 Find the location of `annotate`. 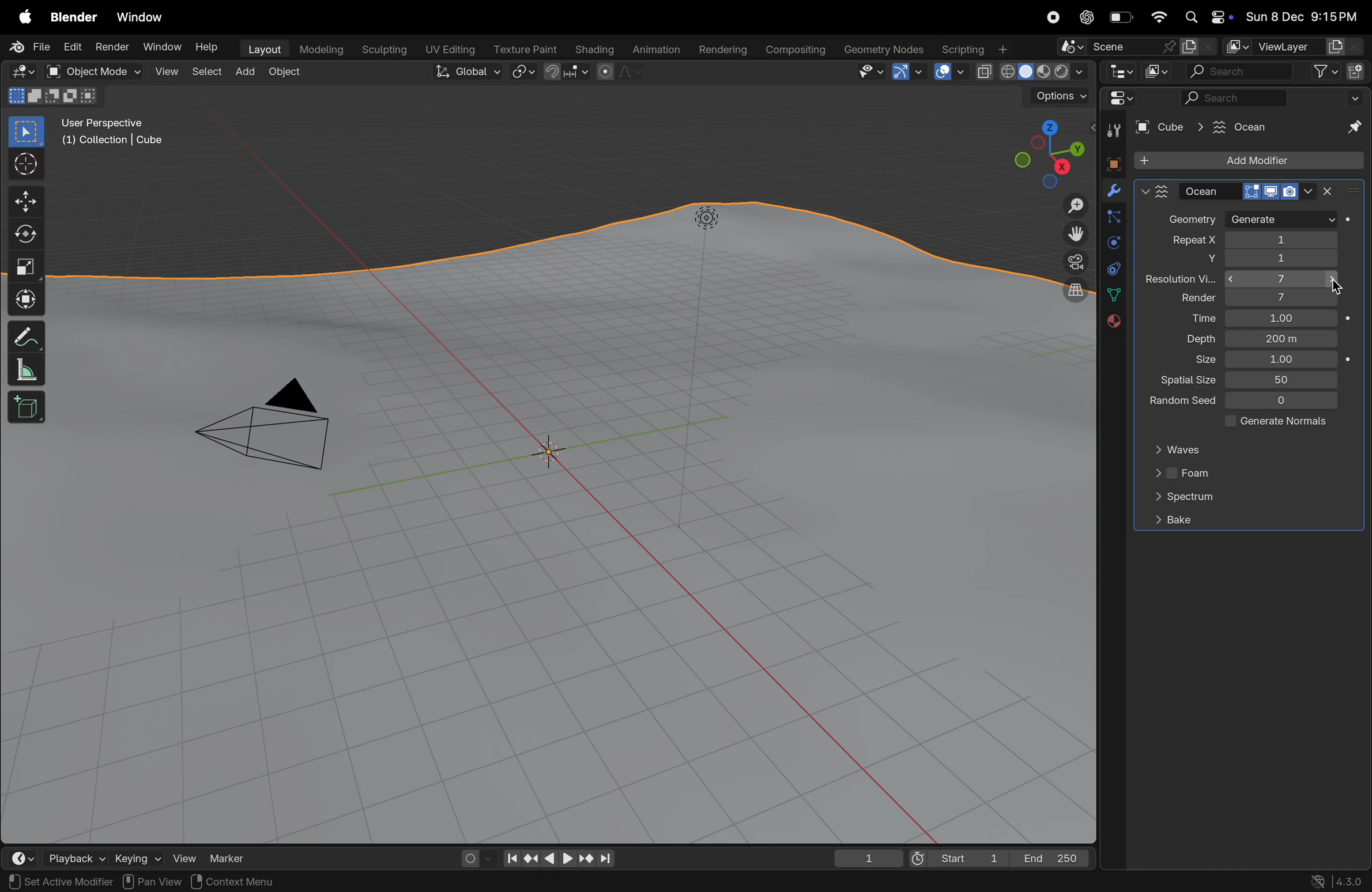

annotate is located at coordinates (26, 337).